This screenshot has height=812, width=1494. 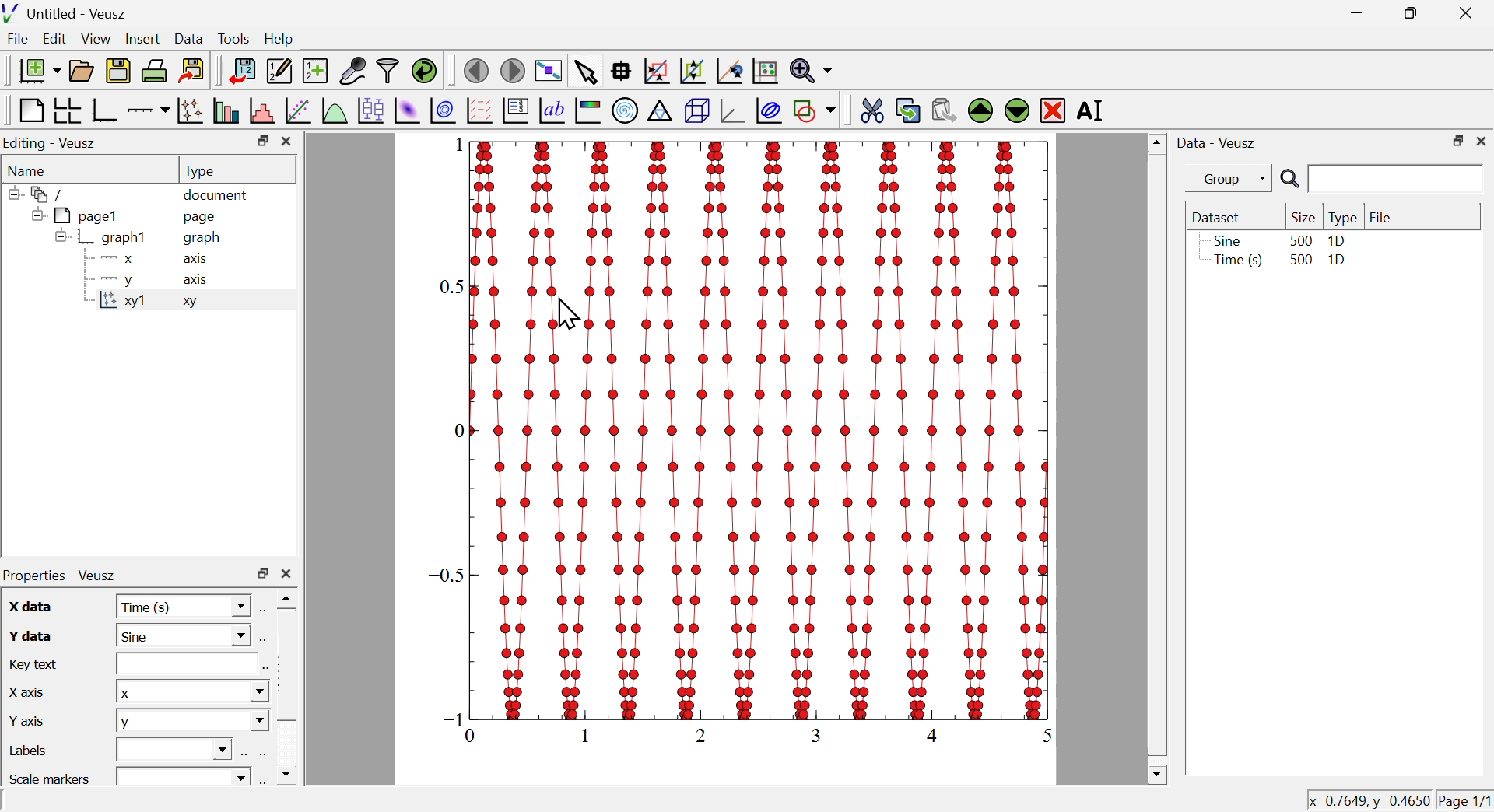 I want to click on plot bar charts, so click(x=226, y=112).